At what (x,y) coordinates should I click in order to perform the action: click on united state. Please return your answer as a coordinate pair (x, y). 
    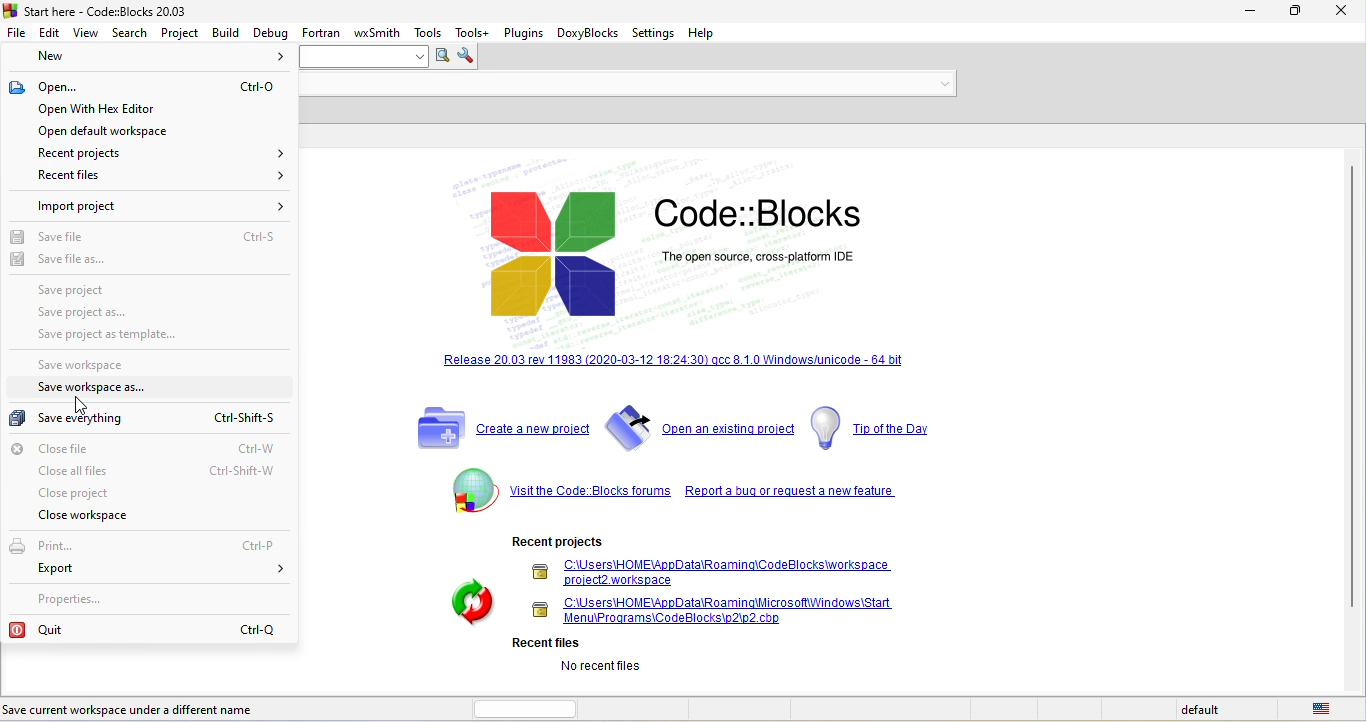
    Looking at the image, I should click on (1325, 709).